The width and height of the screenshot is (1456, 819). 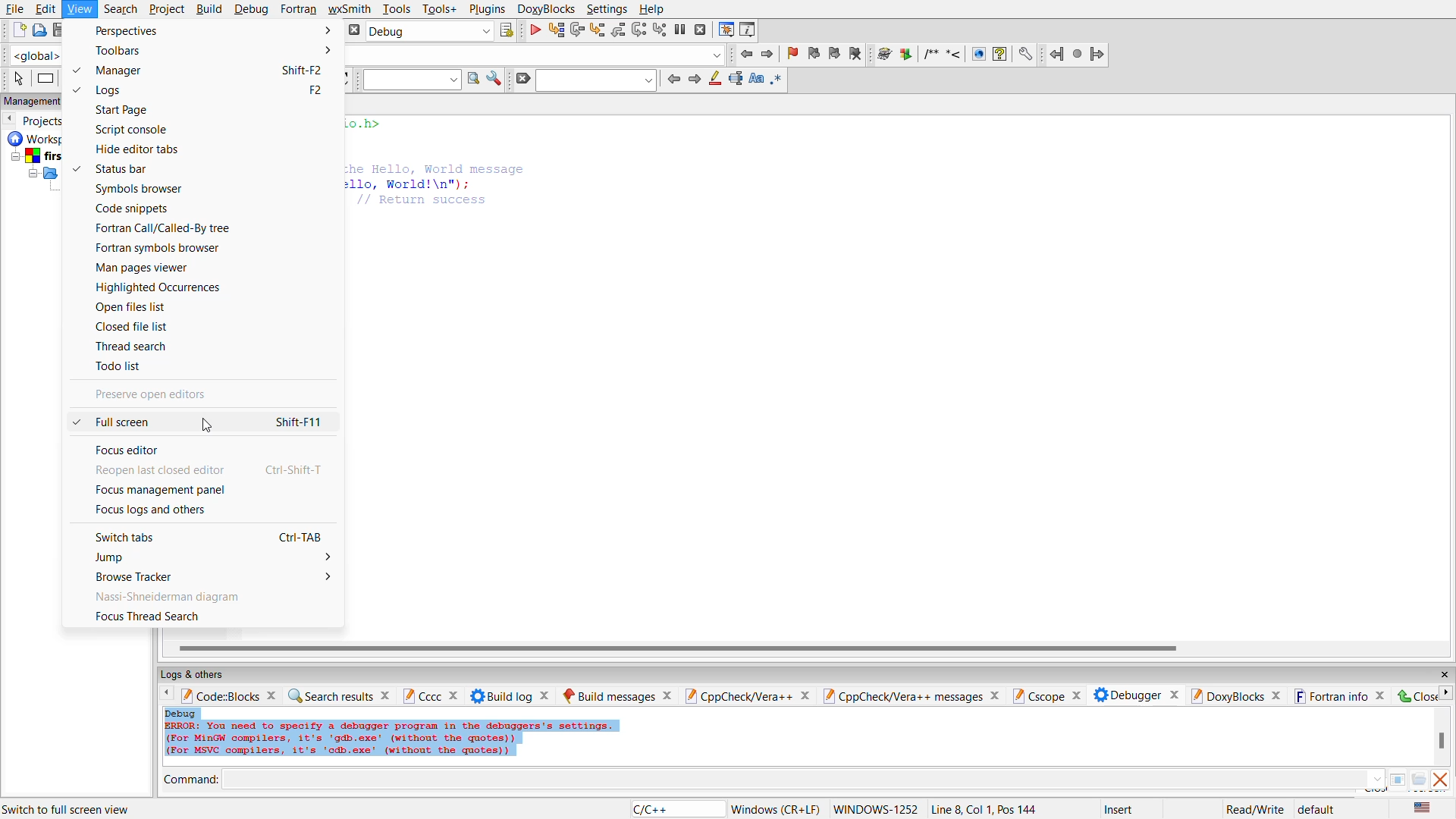 I want to click on script console, so click(x=133, y=132).